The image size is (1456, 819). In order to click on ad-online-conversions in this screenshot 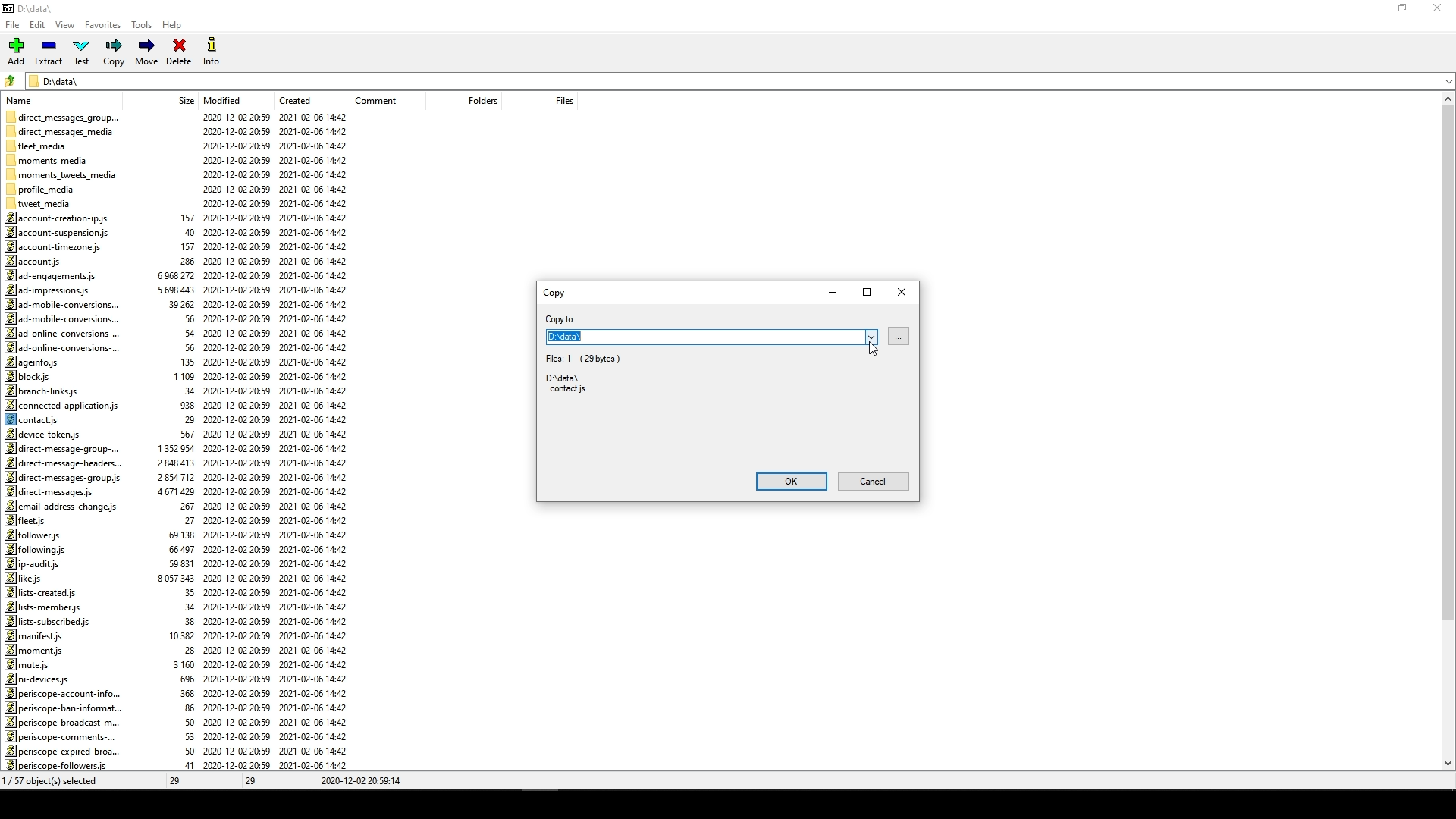, I will do `click(63, 333)`.